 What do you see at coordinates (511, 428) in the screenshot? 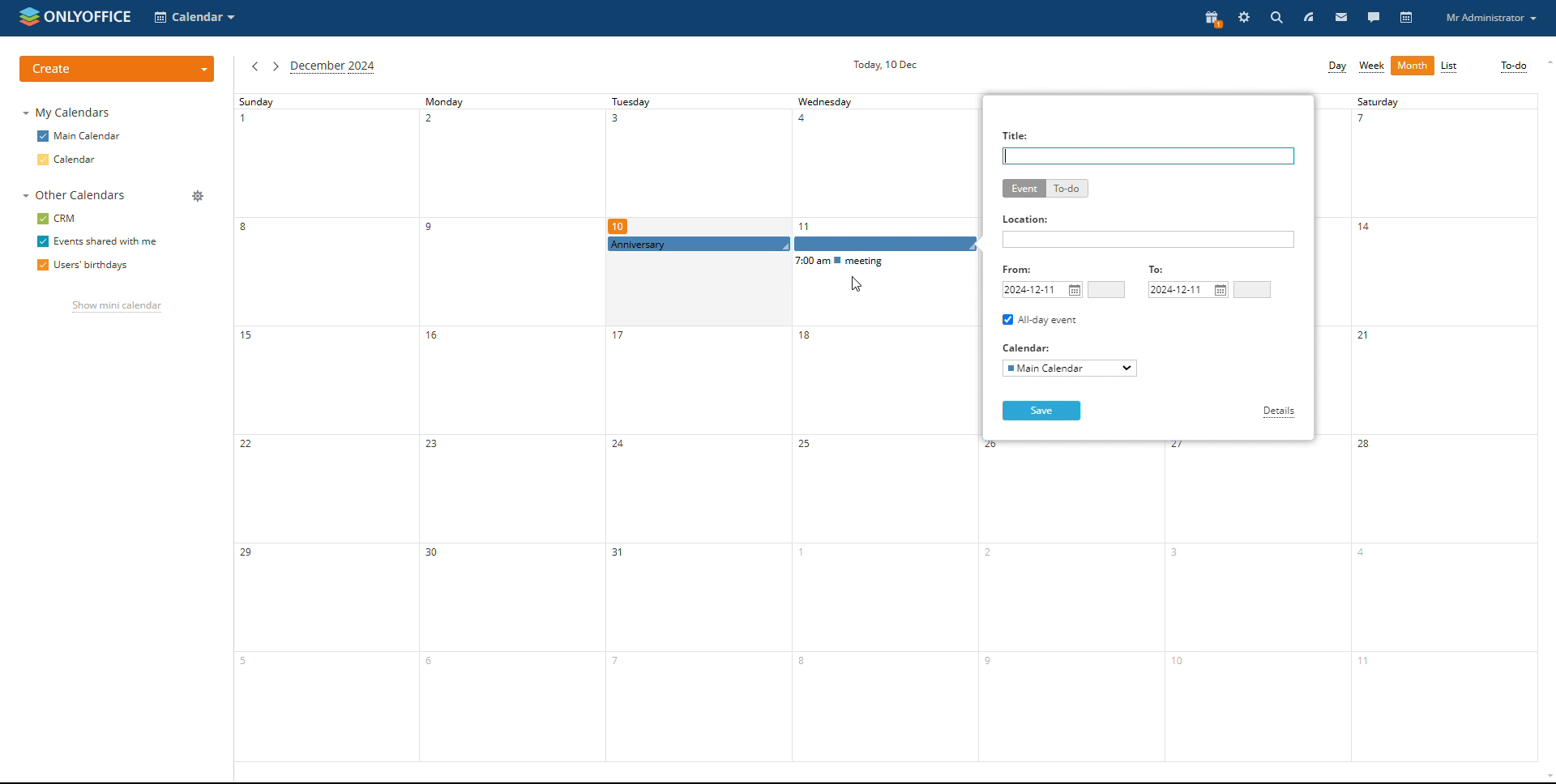
I see `monday` at bounding box center [511, 428].